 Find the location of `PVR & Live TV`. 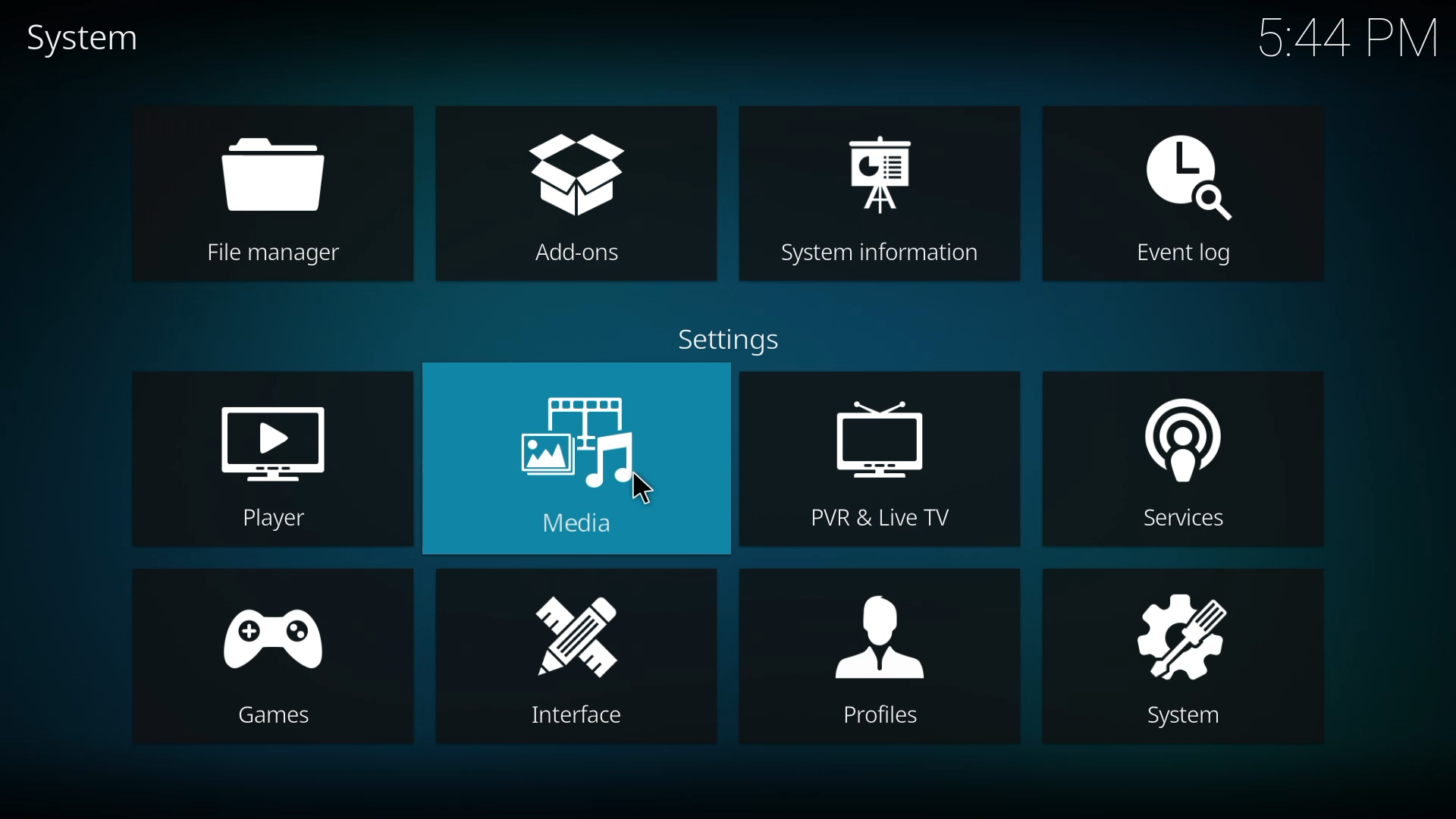

PVR & Live TV is located at coordinates (871, 521).